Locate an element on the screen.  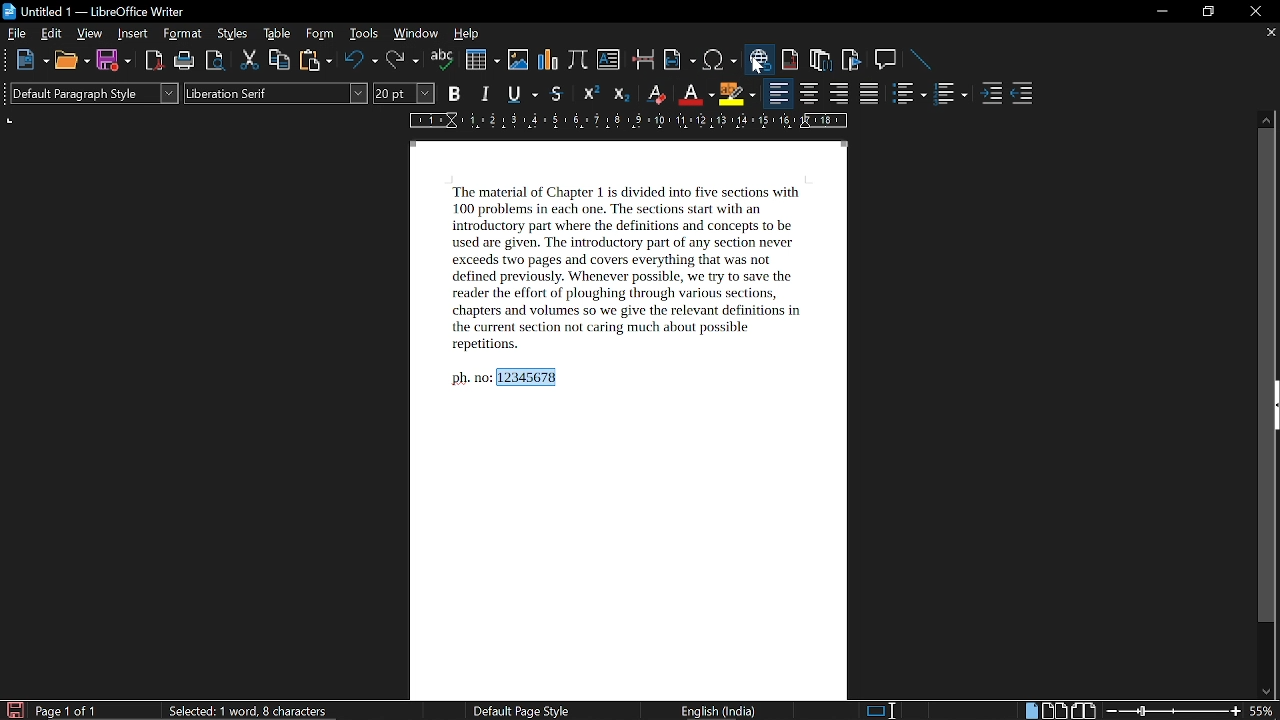
toggle unordered list is located at coordinates (909, 96).